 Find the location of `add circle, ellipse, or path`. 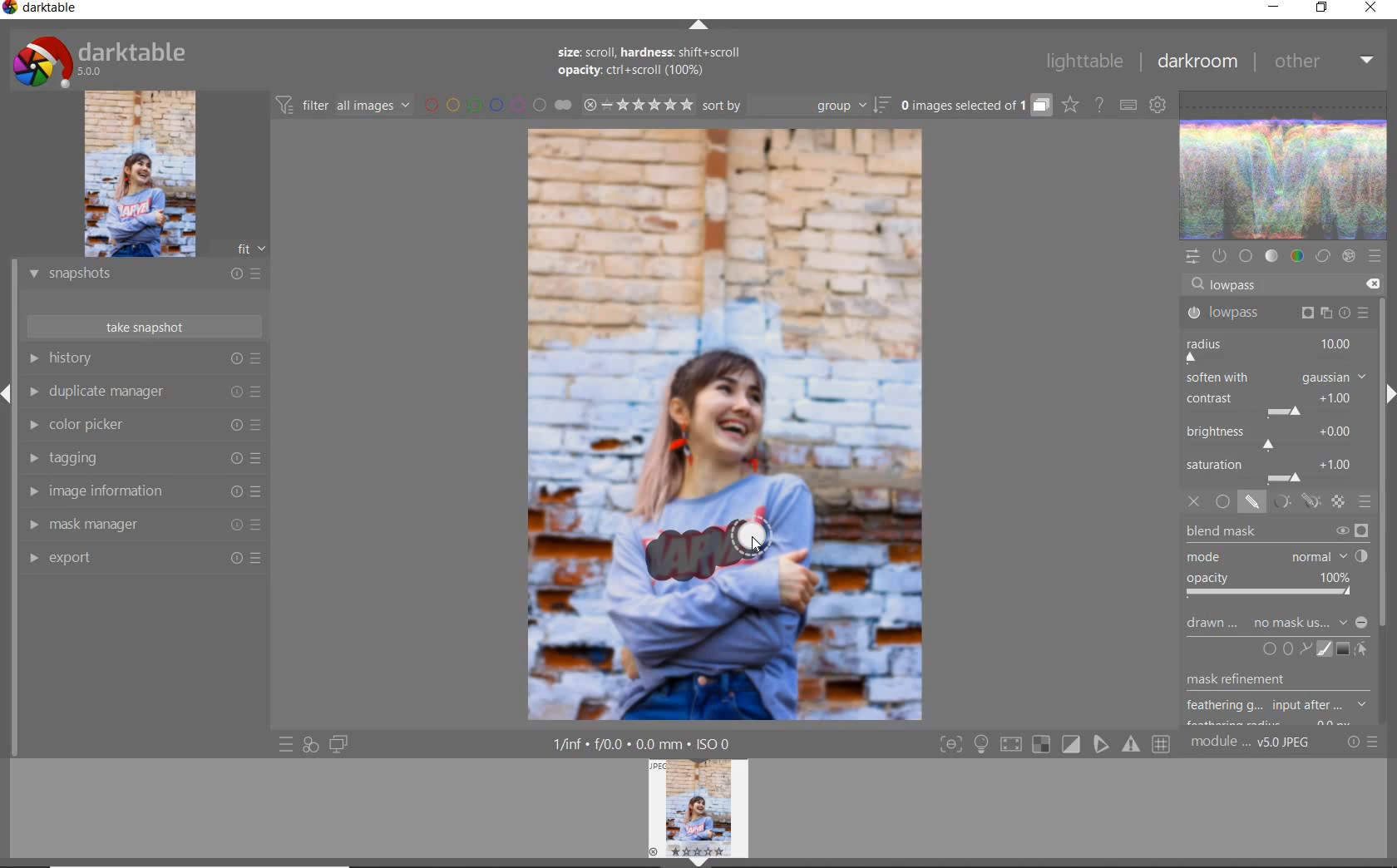

add circle, ellipse, or path is located at coordinates (1287, 650).